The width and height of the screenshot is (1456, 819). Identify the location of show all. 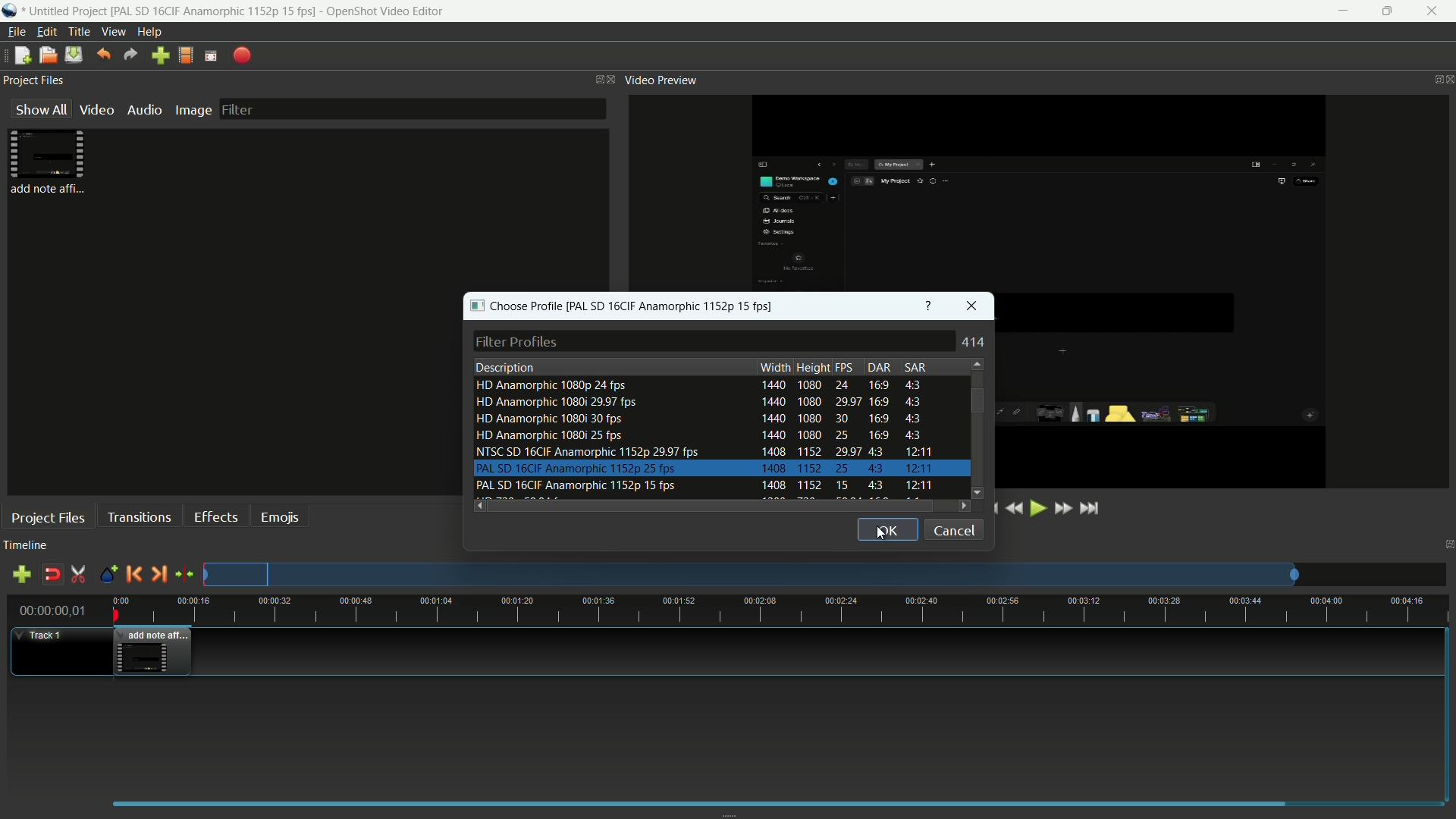
(38, 109).